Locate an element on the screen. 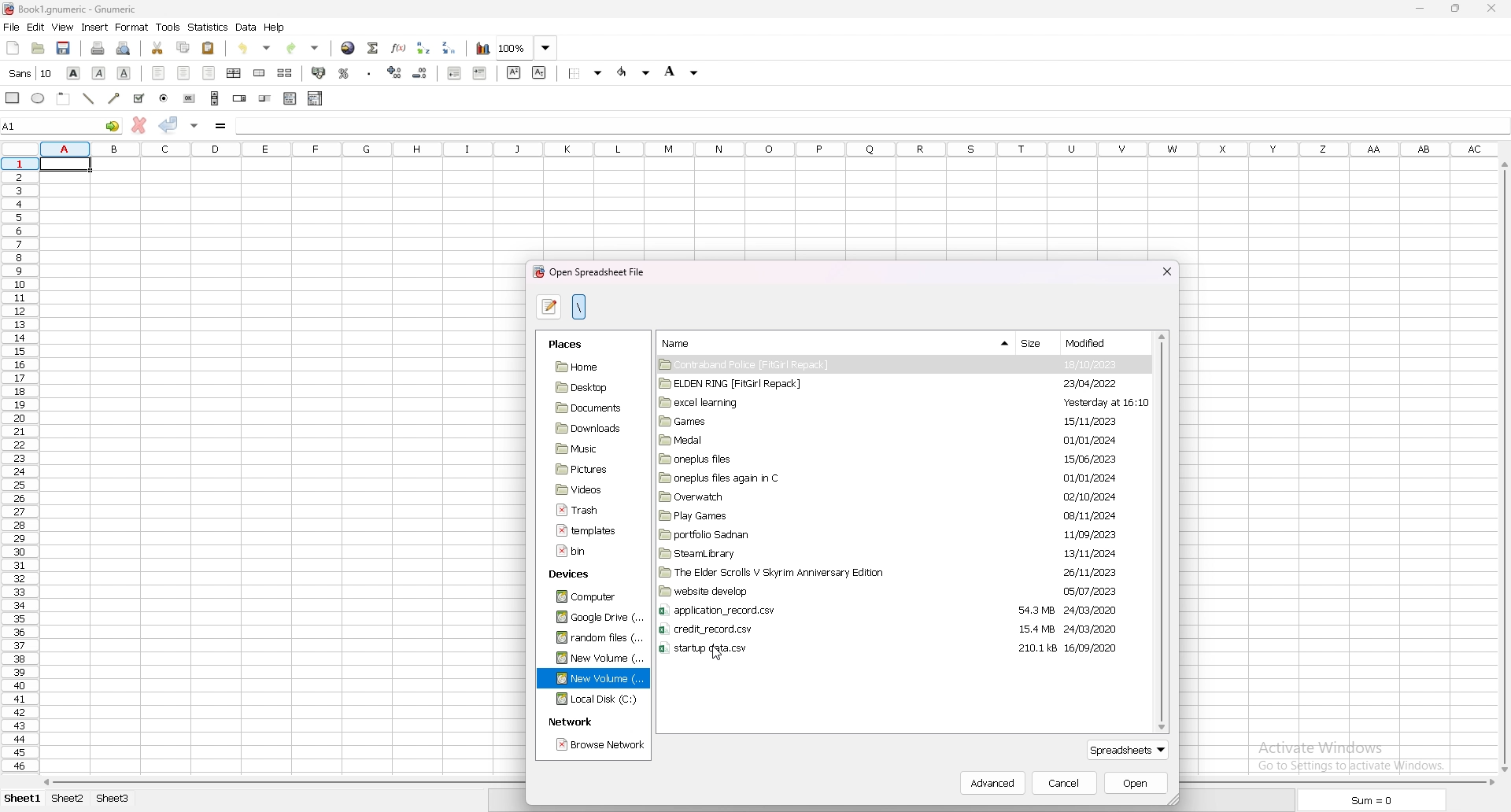  data is located at coordinates (247, 27).